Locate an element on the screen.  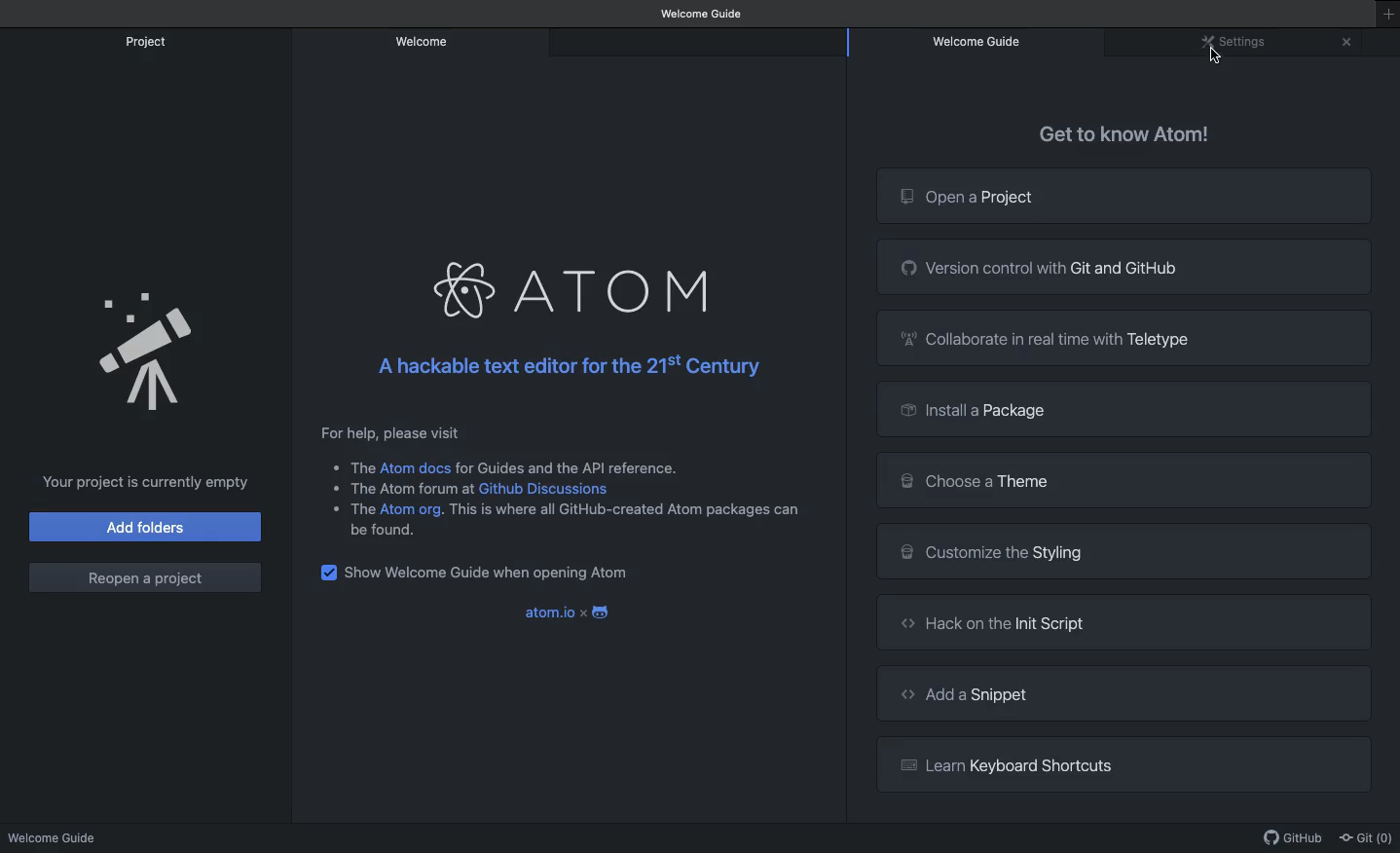
checkbox is located at coordinates (327, 574).